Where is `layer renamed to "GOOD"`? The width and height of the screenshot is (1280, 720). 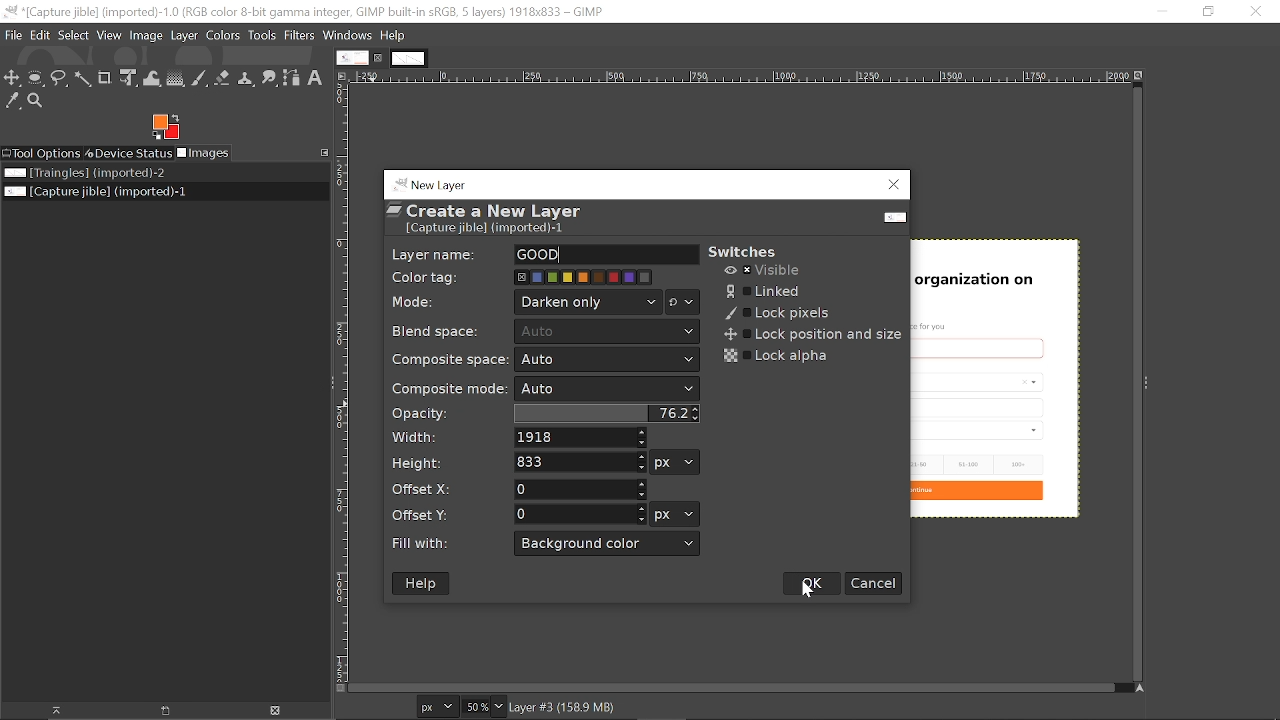 layer renamed to "GOOD" is located at coordinates (539, 255).